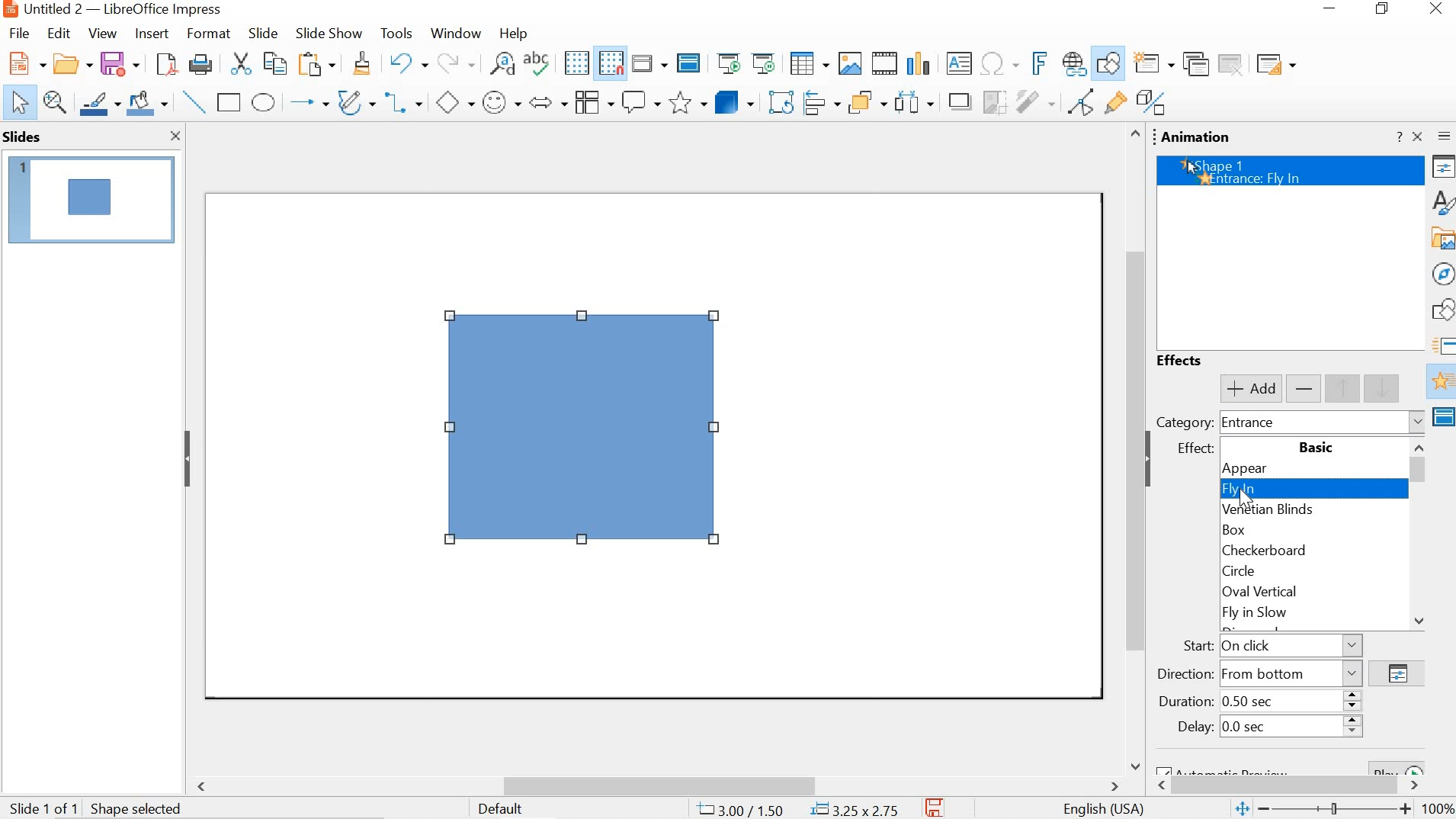 The width and height of the screenshot is (1456, 819). What do you see at coordinates (501, 63) in the screenshot?
I see `find and replace` at bounding box center [501, 63].